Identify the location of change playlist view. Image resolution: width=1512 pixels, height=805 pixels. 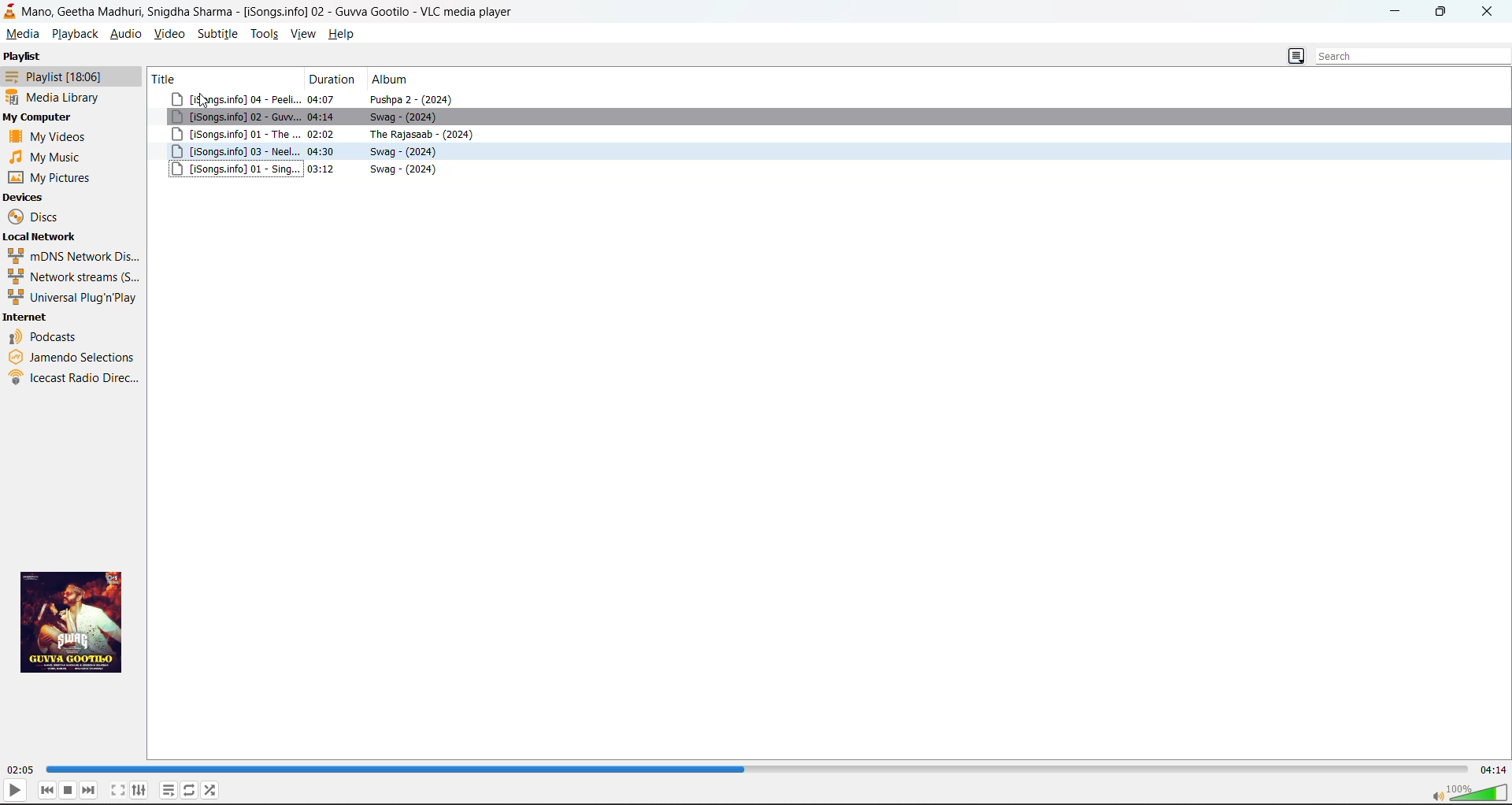
(1295, 57).